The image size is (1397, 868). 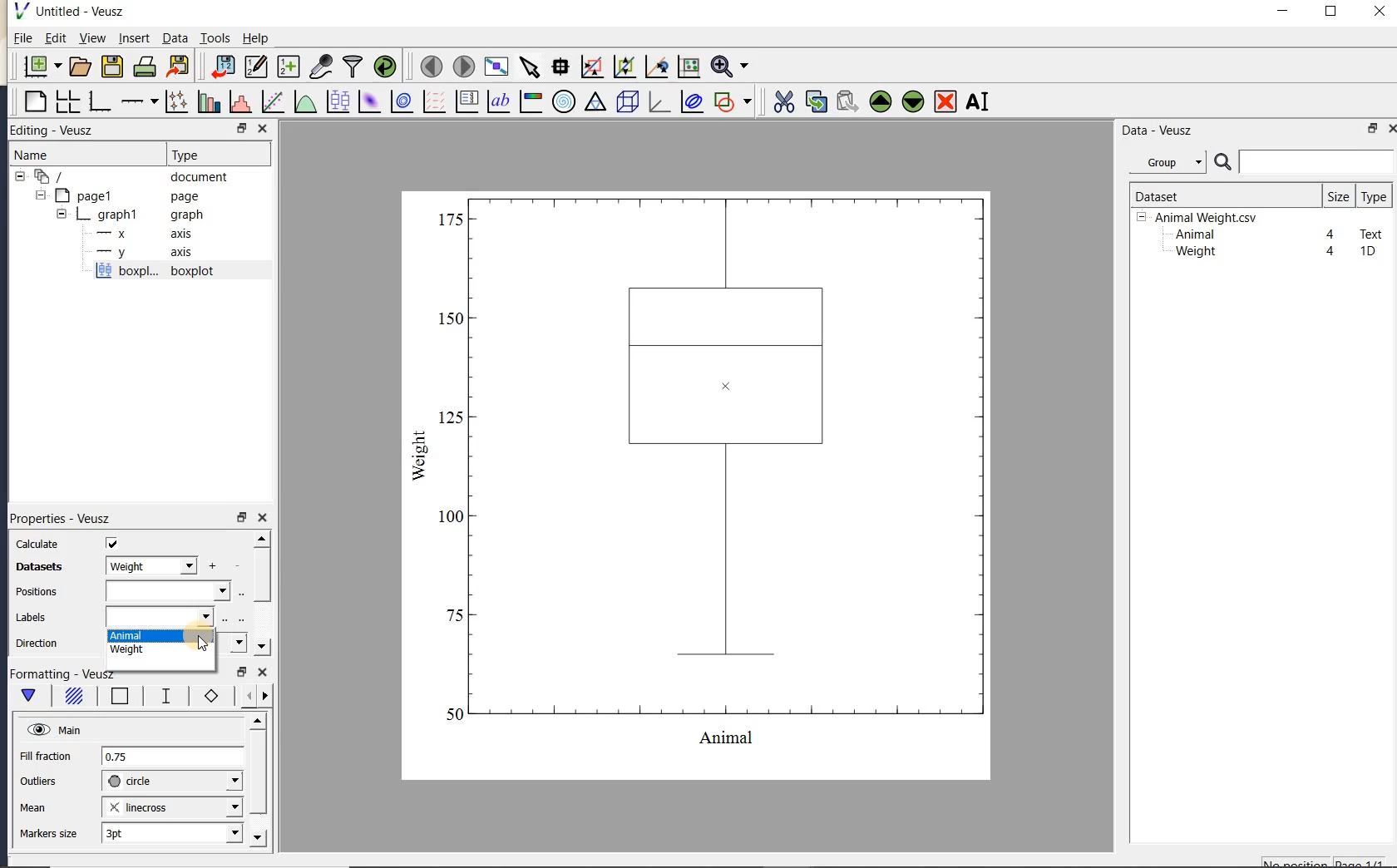 I want to click on axis, so click(x=140, y=234).